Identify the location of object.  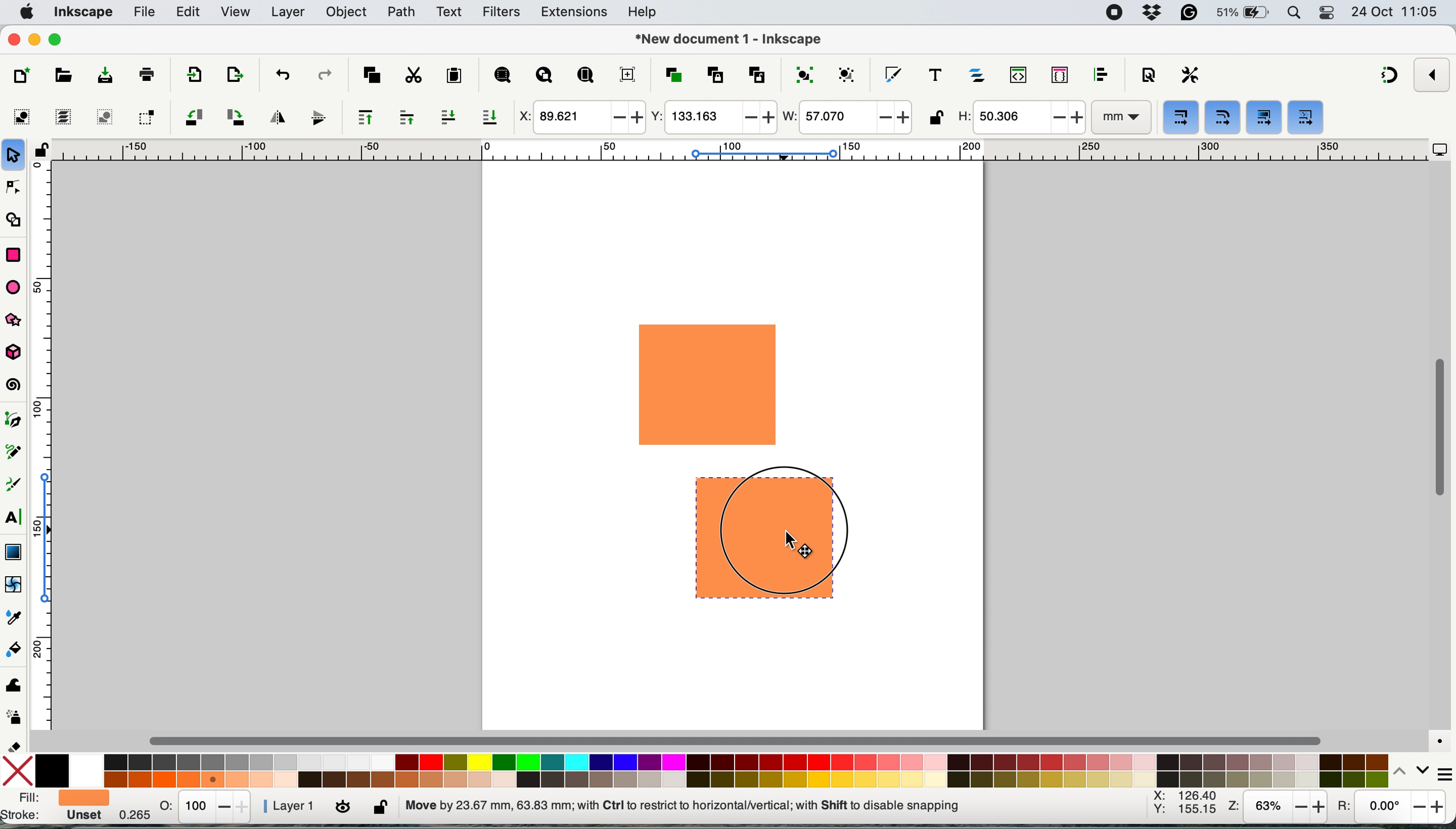
(349, 12).